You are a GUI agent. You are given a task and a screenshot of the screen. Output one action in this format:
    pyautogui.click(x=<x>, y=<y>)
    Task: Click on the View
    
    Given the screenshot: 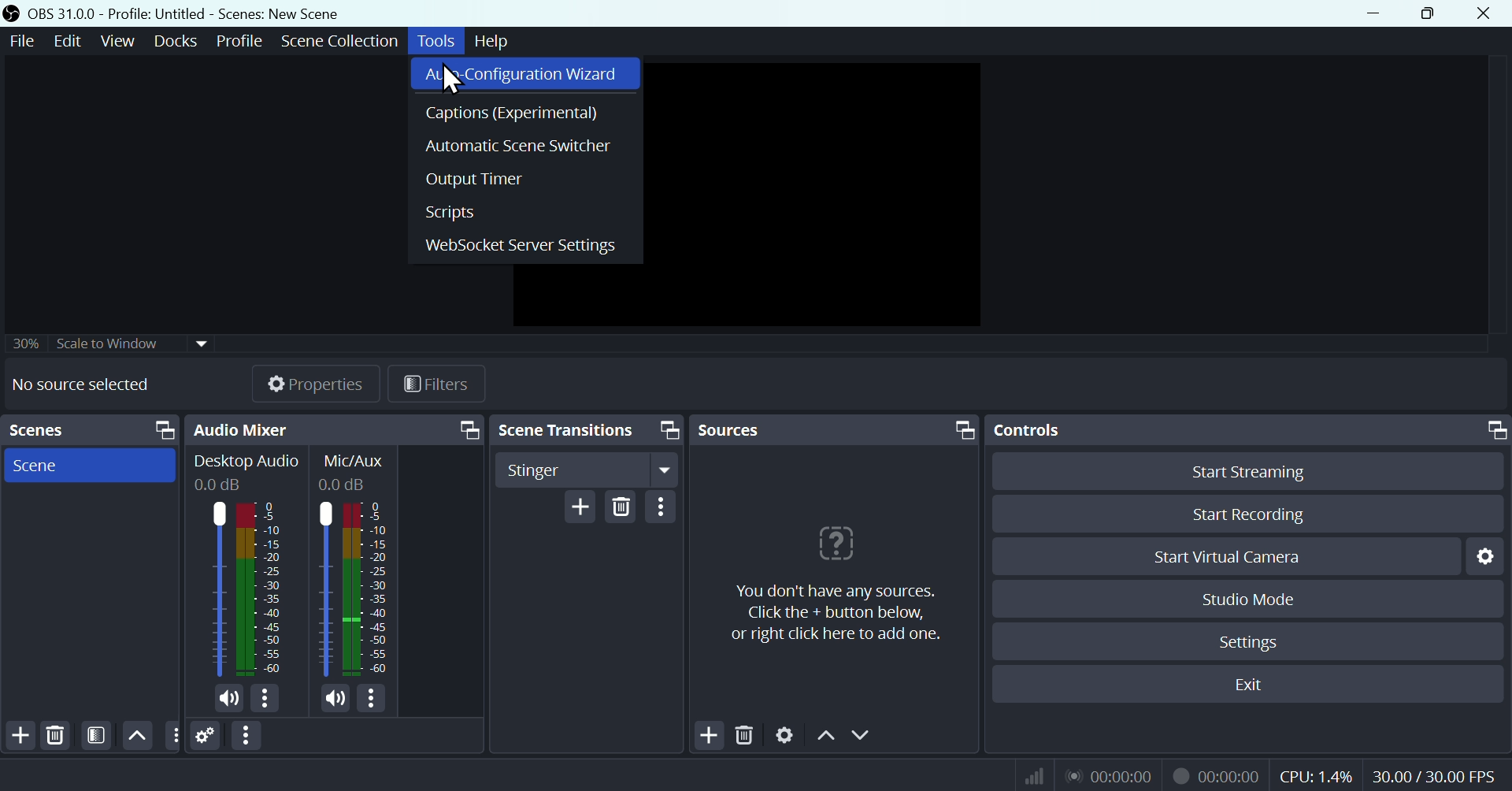 What is the action you would take?
    pyautogui.click(x=114, y=41)
    